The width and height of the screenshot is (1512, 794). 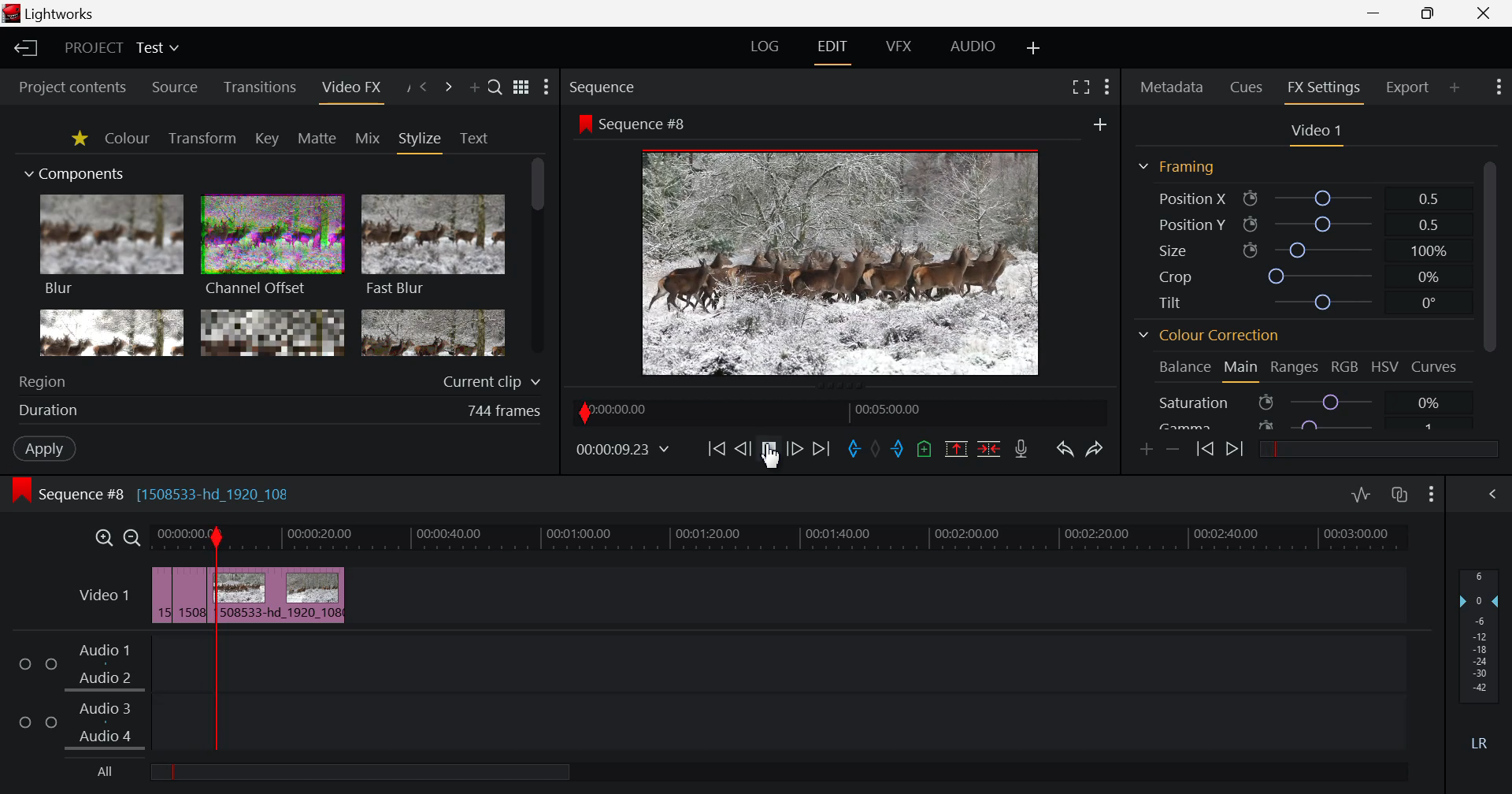 I want to click on Curves, so click(x=1436, y=366).